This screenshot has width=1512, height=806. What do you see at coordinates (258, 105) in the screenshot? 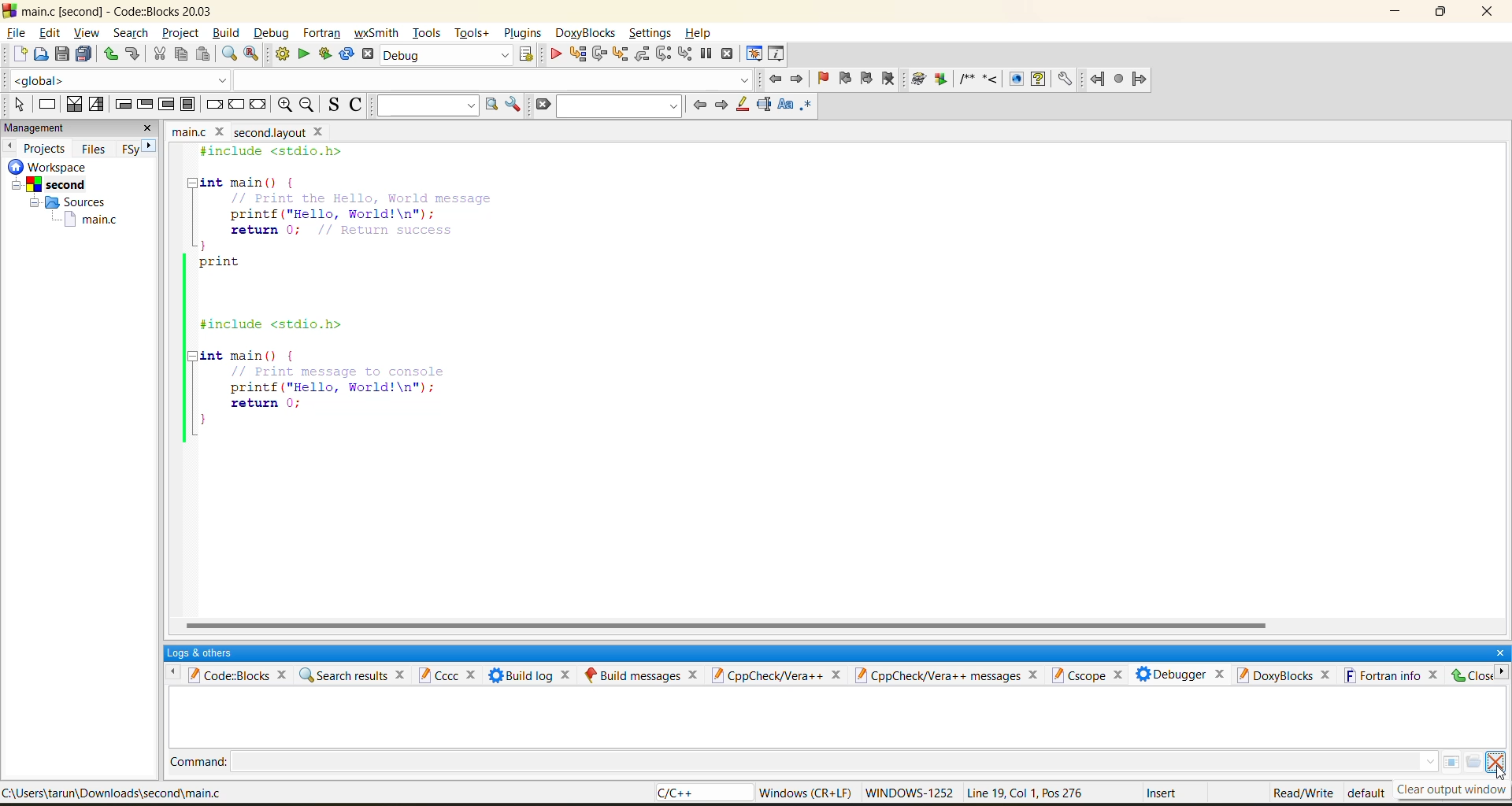
I see `return instruction` at bounding box center [258, 105].